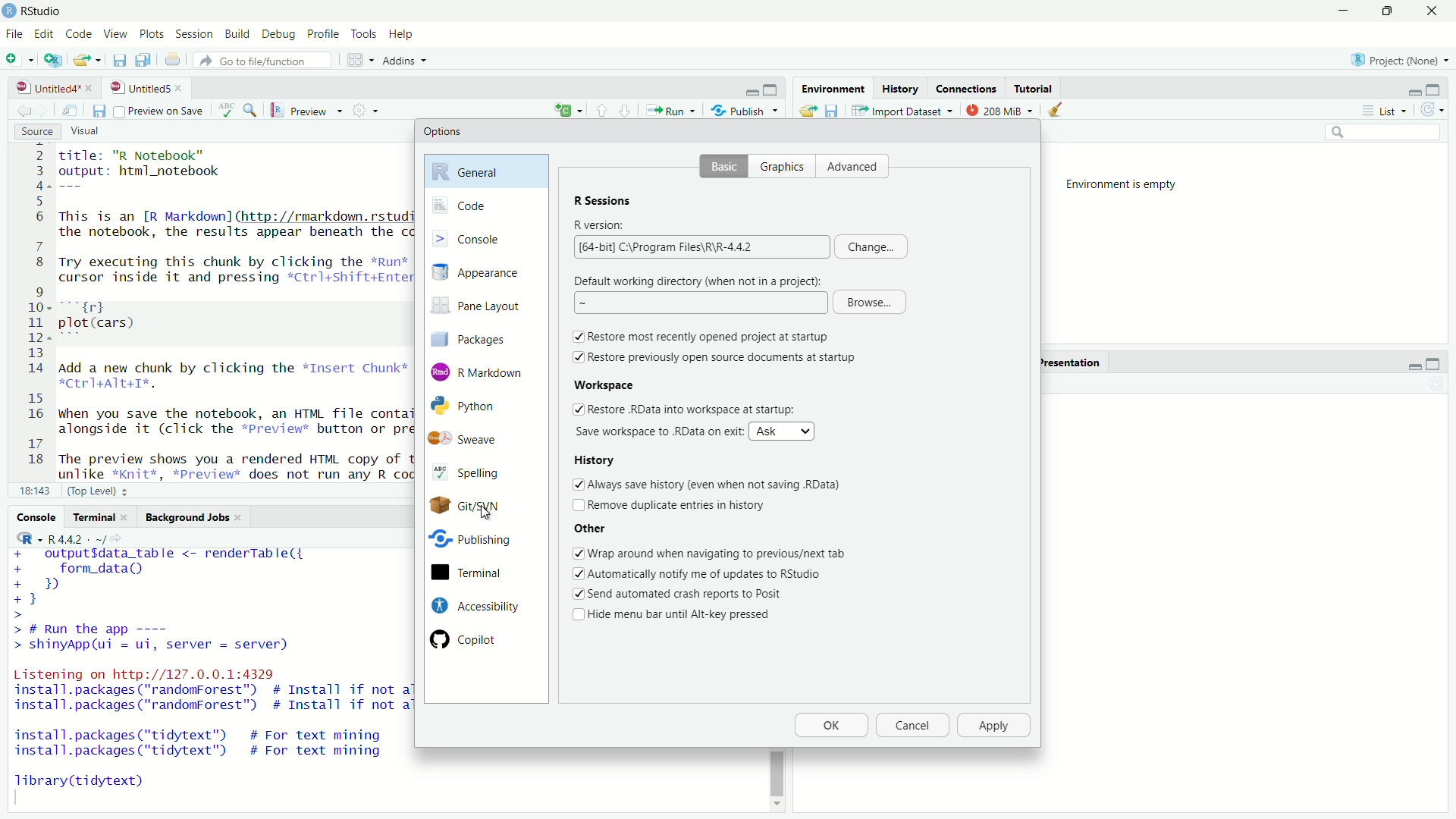 The width and height of the screenshot is (1456, 819). What do you see at coordinates (152, 35) in the screenshot?
I see `Plots` at bounding box center [152, 35].